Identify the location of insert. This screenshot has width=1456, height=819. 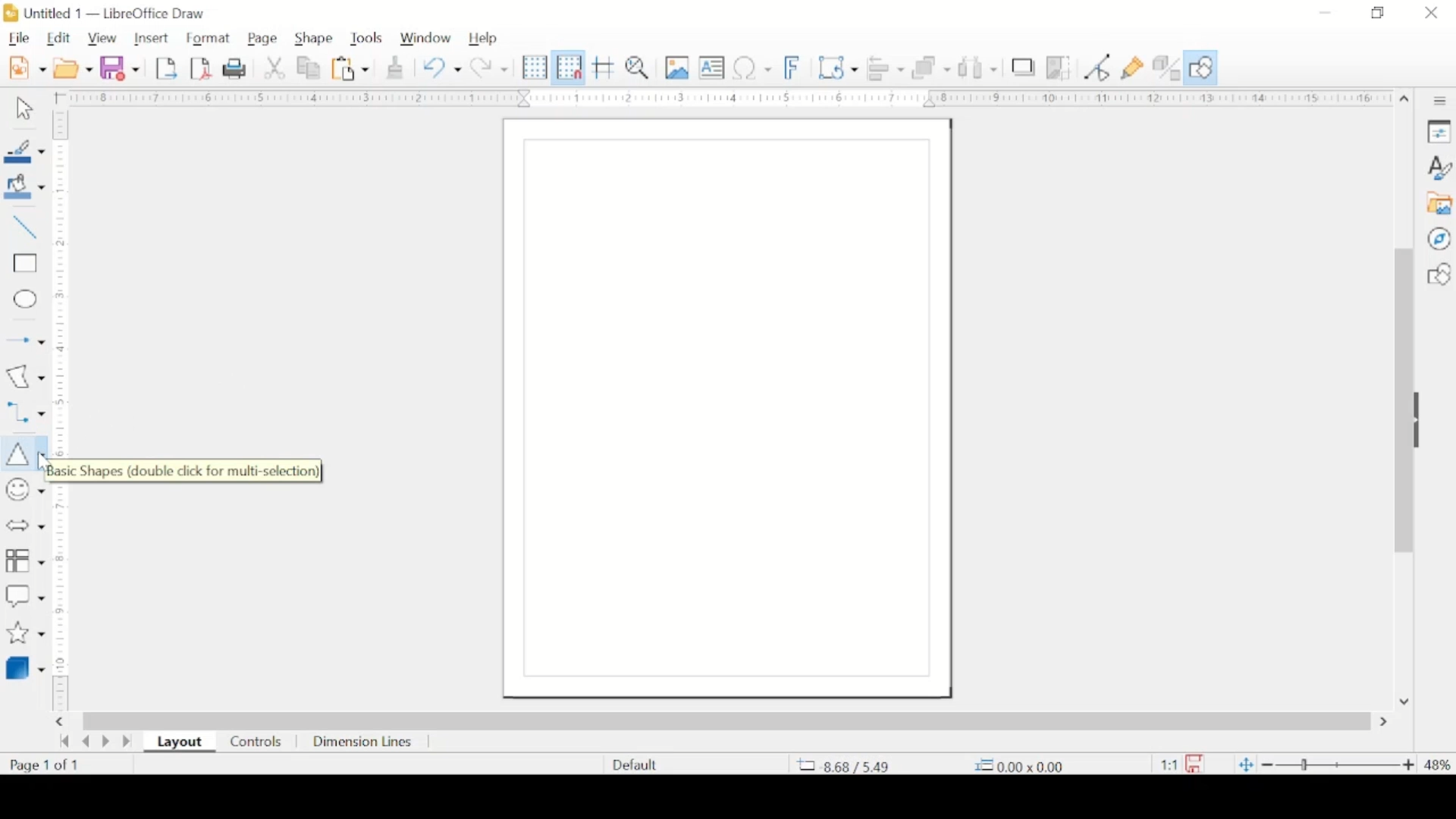
(153, 39).